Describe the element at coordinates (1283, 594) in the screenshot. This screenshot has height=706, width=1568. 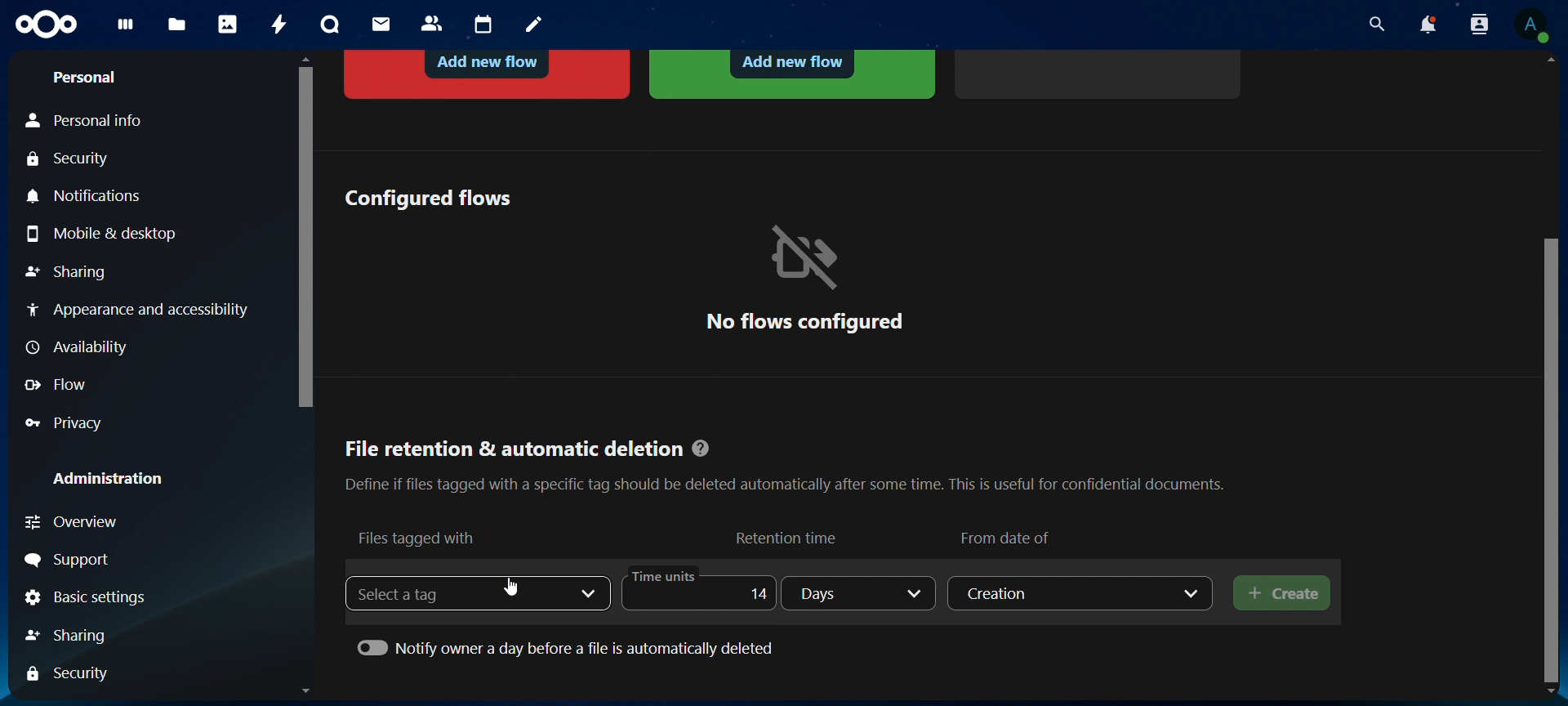
I see `create` at that location.